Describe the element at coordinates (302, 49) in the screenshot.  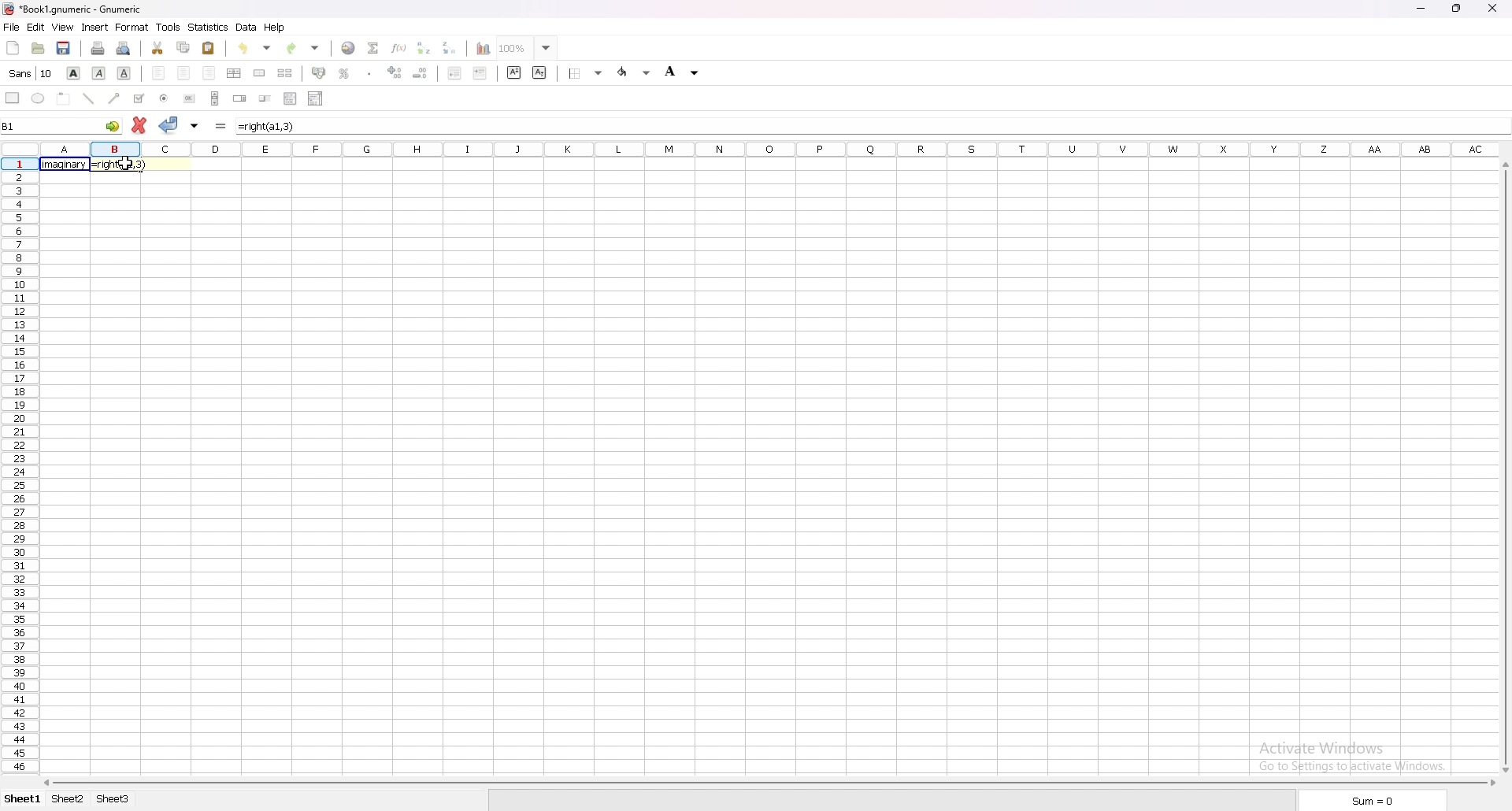
I see `redo` at that location.